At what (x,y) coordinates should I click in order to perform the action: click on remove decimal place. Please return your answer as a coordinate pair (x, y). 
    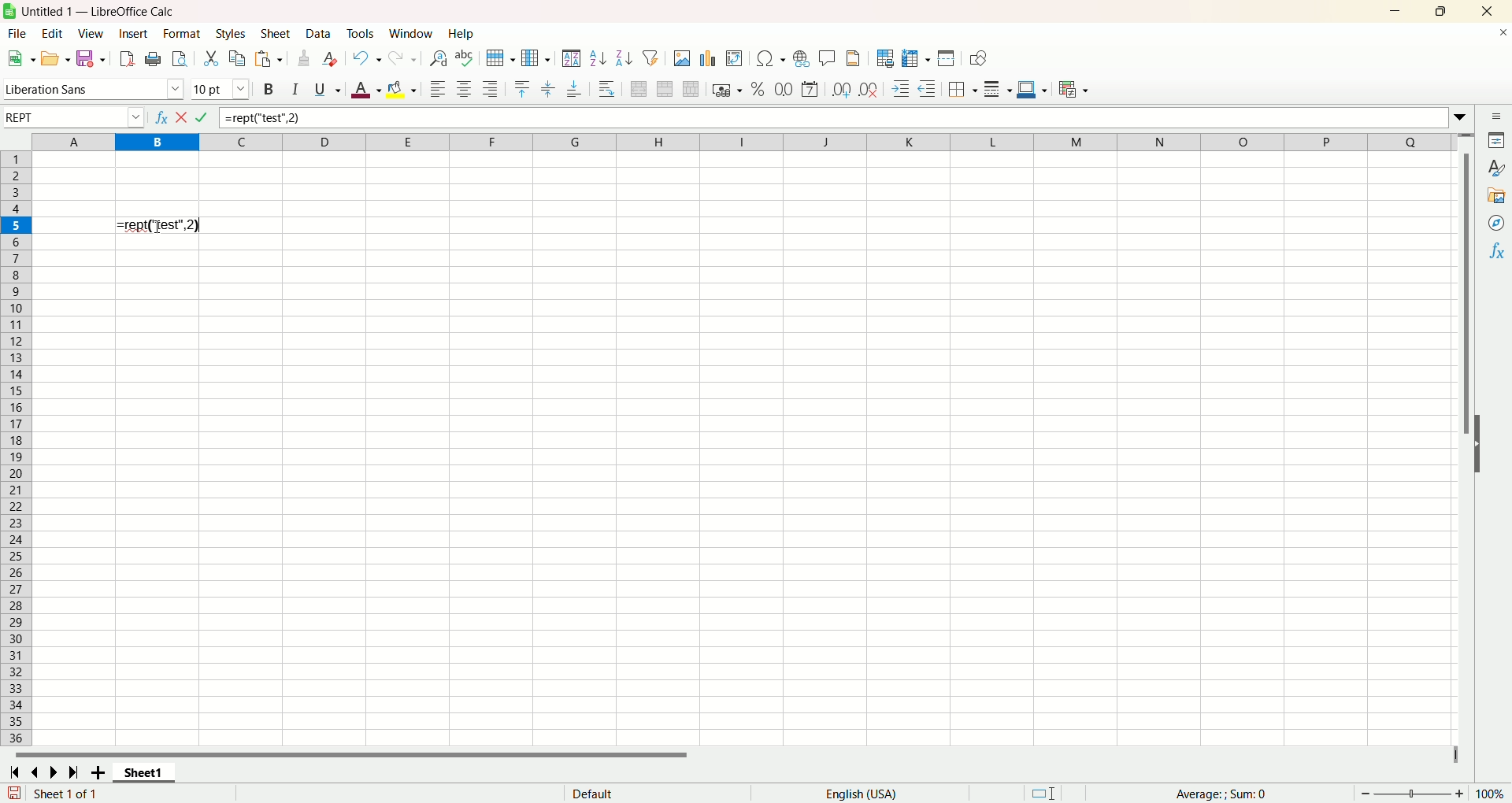
    Looking at the image, I should click on (869, 90).